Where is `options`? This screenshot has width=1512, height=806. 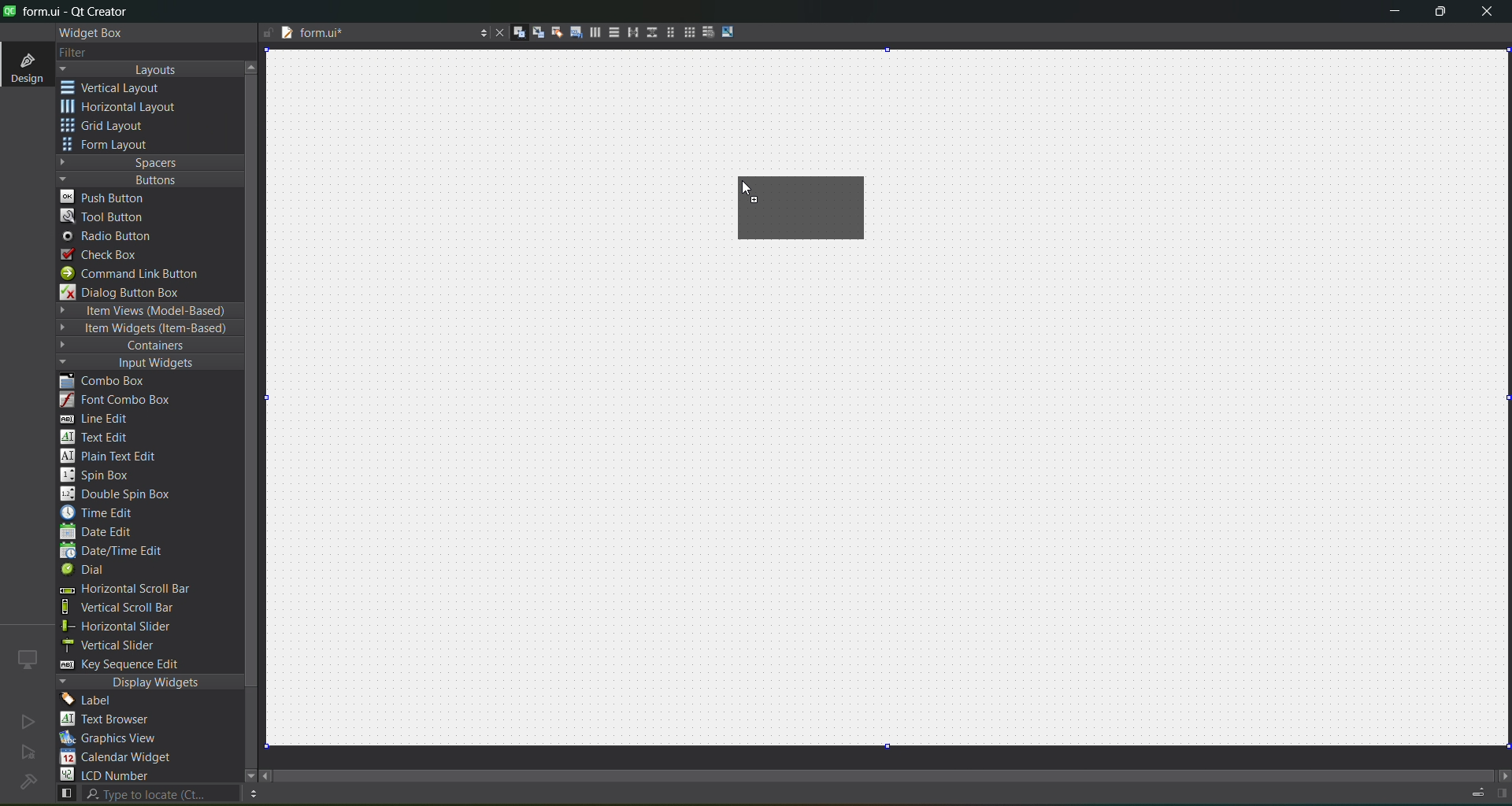
options is located at coordinates (479, 35).